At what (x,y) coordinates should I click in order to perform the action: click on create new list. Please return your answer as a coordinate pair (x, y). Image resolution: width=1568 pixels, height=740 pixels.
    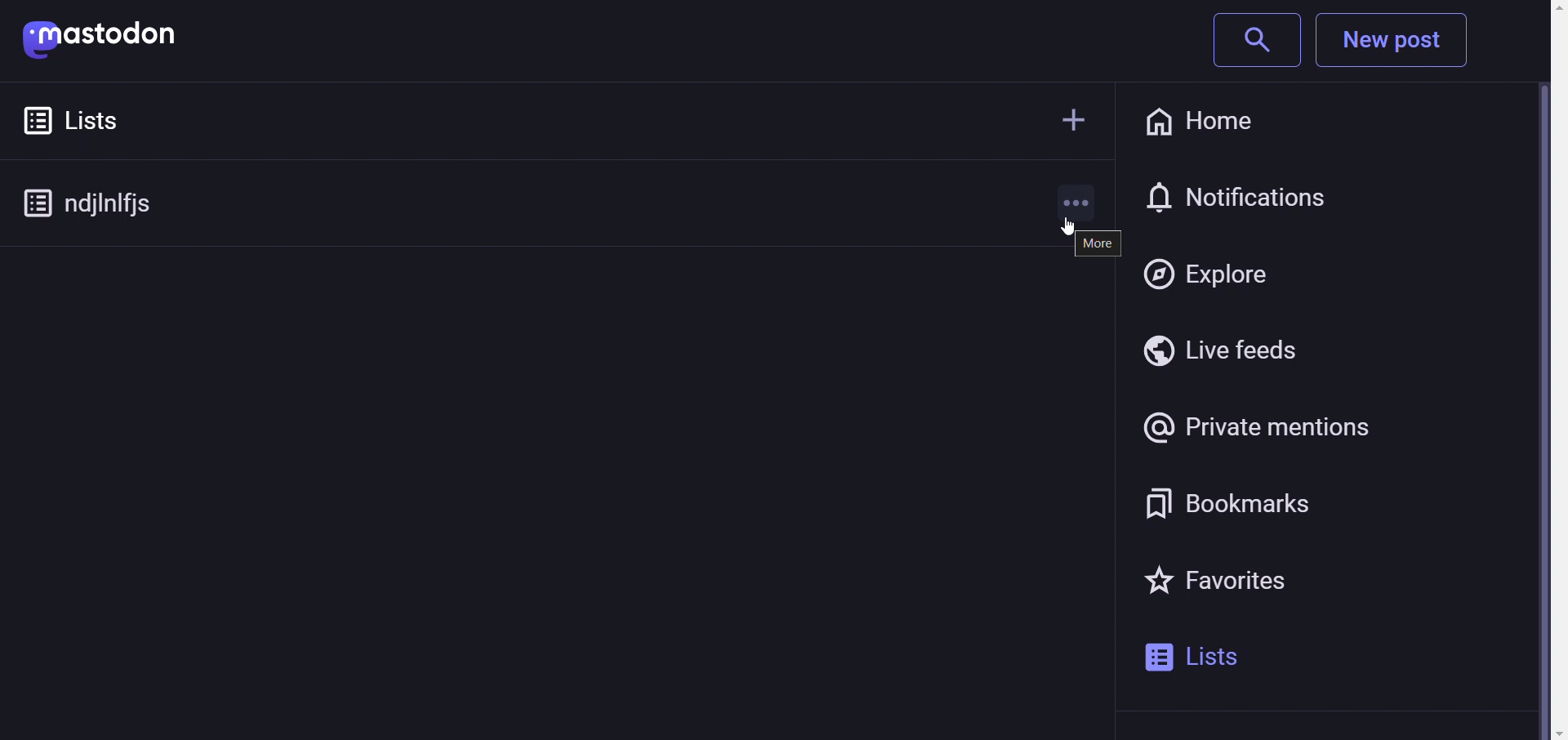
    Looking at the image, I should click on (1063, 122).